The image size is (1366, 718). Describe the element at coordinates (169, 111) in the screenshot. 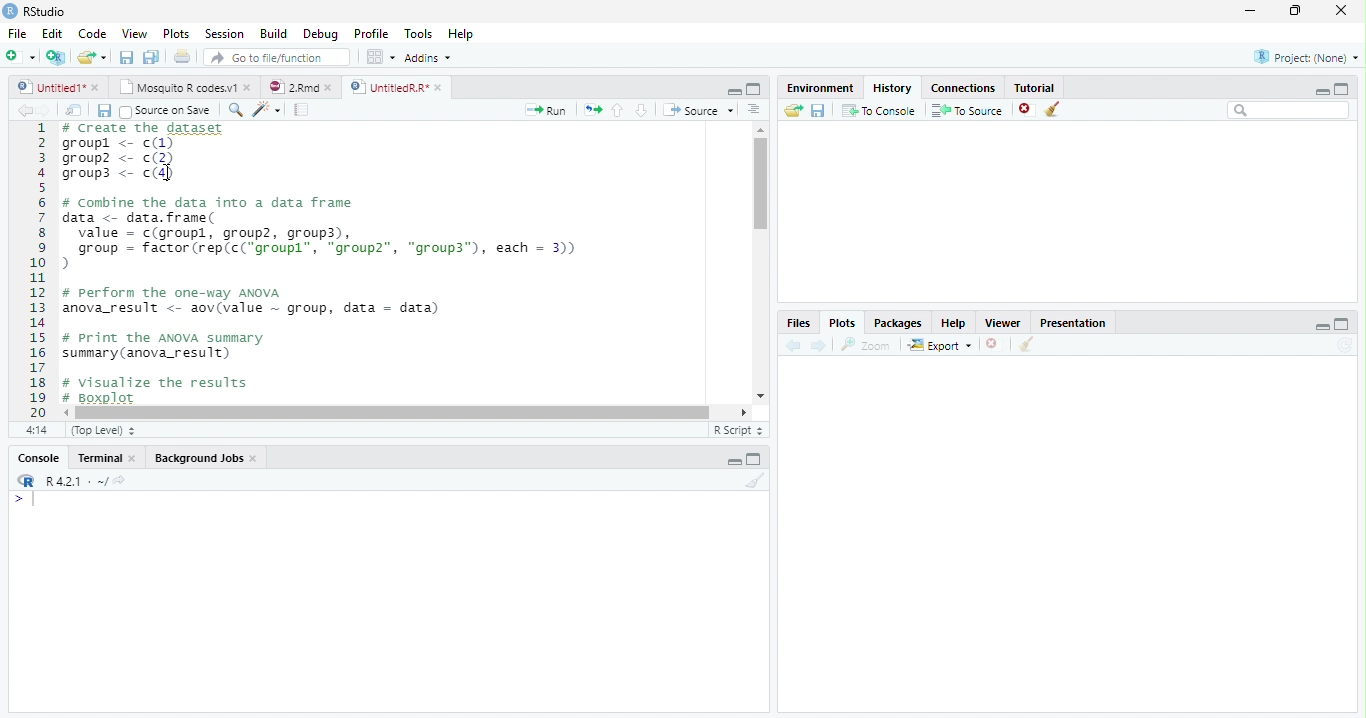

I see `Source on save` at that location.